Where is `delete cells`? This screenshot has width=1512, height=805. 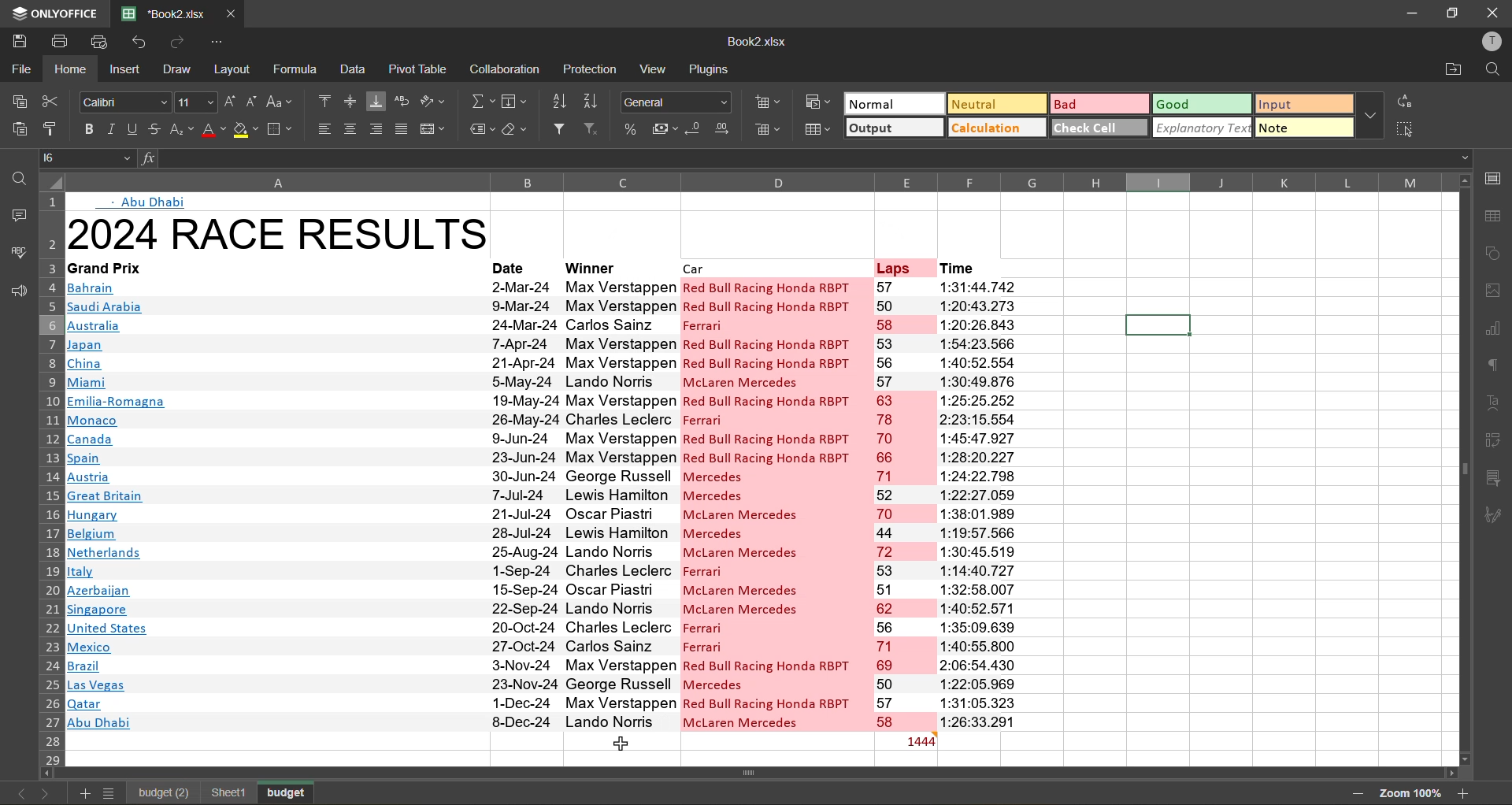 delete cells is located at coordinates (769, 131).